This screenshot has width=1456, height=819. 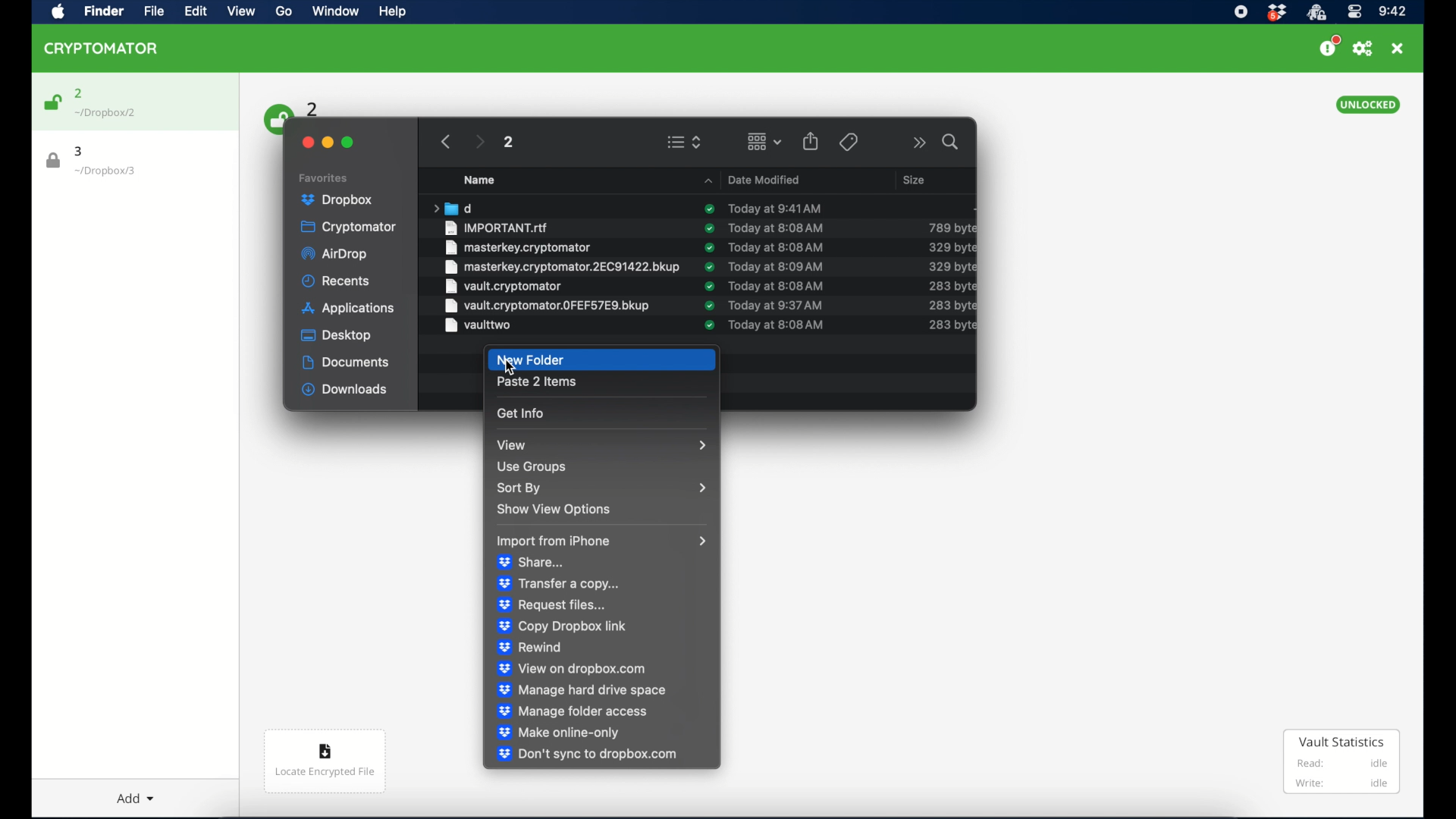 I want to click on name, so click(x=479, y=180).